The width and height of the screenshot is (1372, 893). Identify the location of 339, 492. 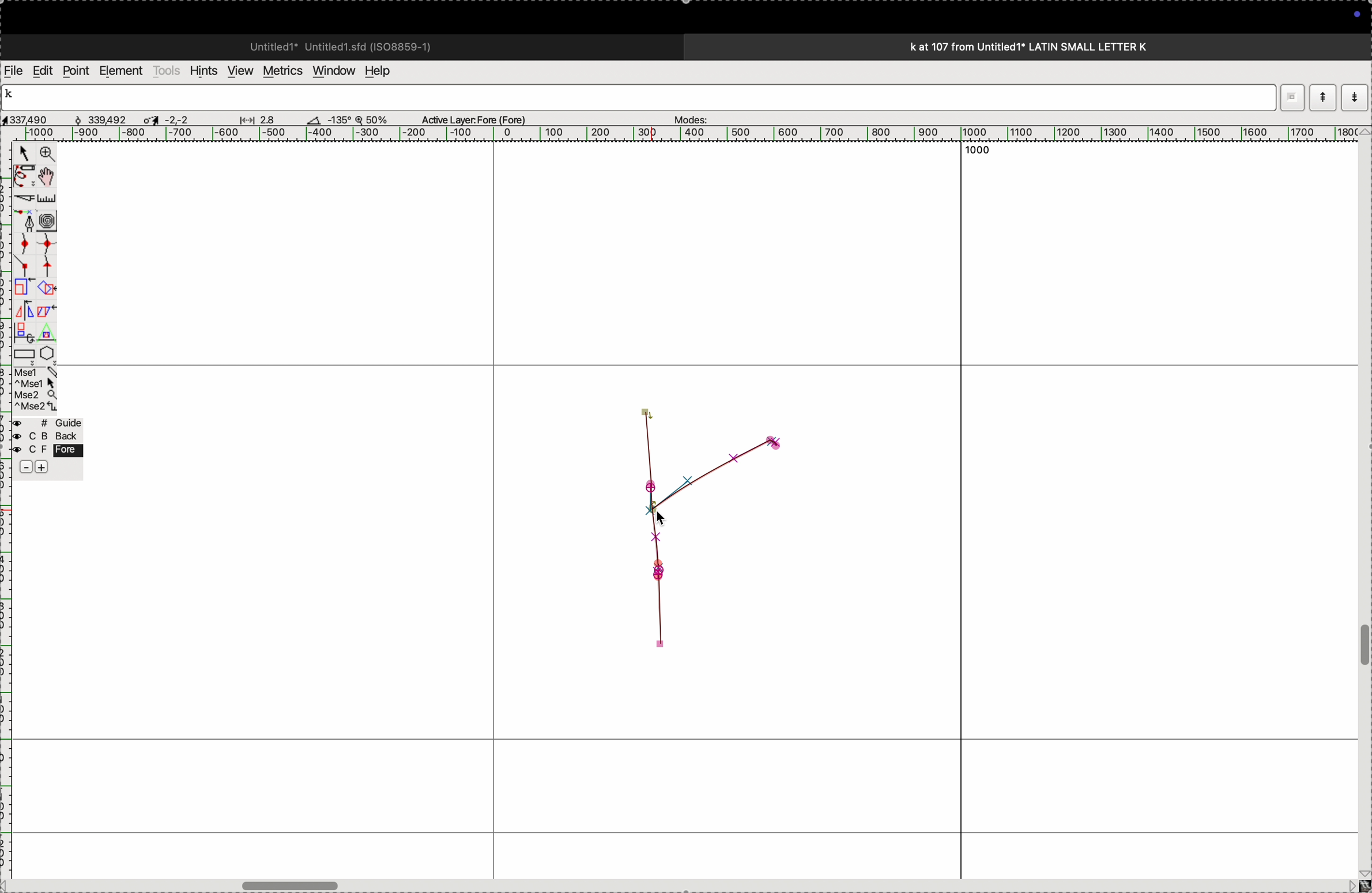
(109, 118).